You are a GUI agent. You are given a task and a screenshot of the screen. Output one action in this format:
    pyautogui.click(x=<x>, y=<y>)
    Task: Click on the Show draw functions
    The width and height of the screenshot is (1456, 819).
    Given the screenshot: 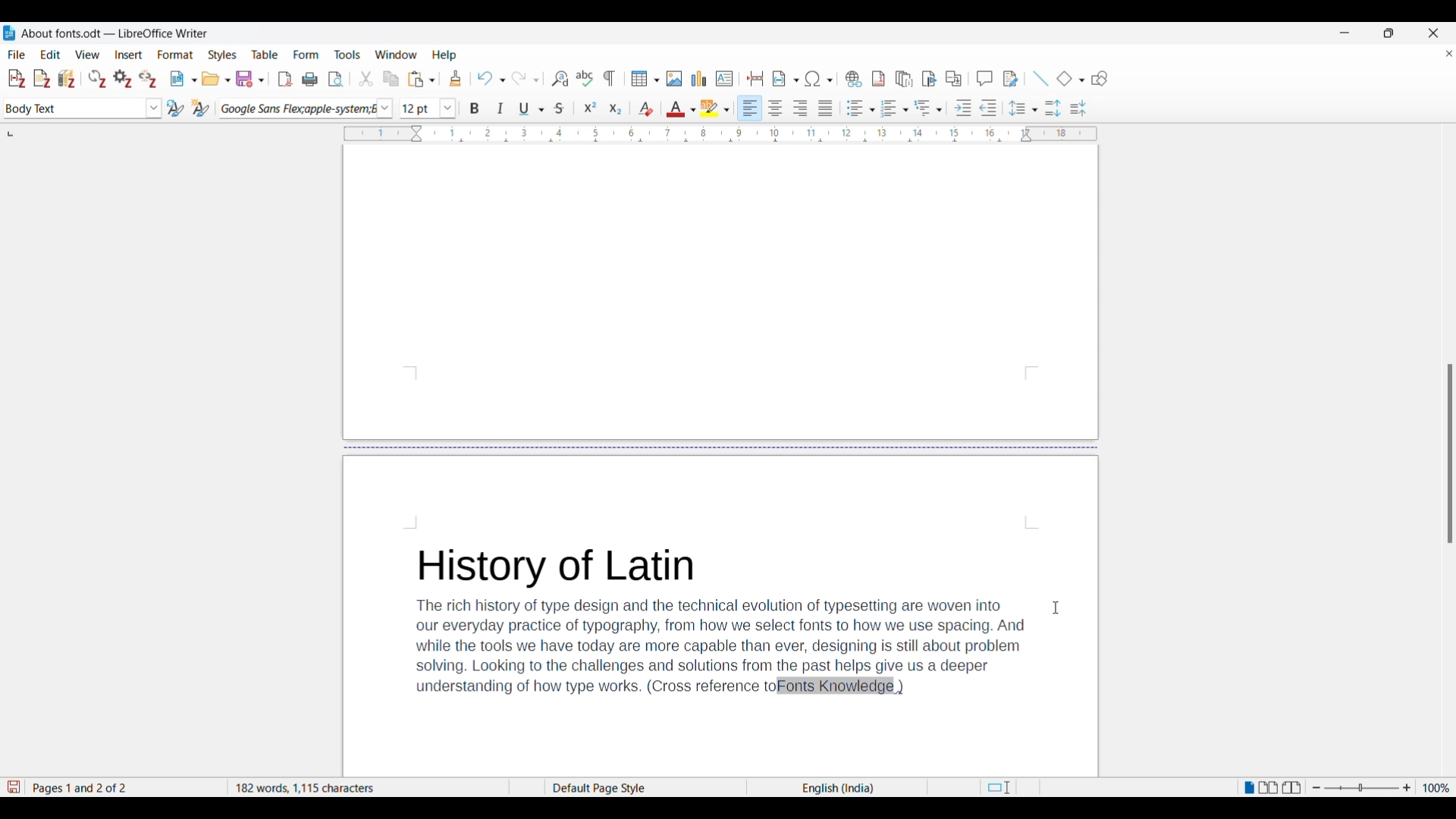 What is the action you would take?
    pyautogui.click(x=1100, y=79)
    